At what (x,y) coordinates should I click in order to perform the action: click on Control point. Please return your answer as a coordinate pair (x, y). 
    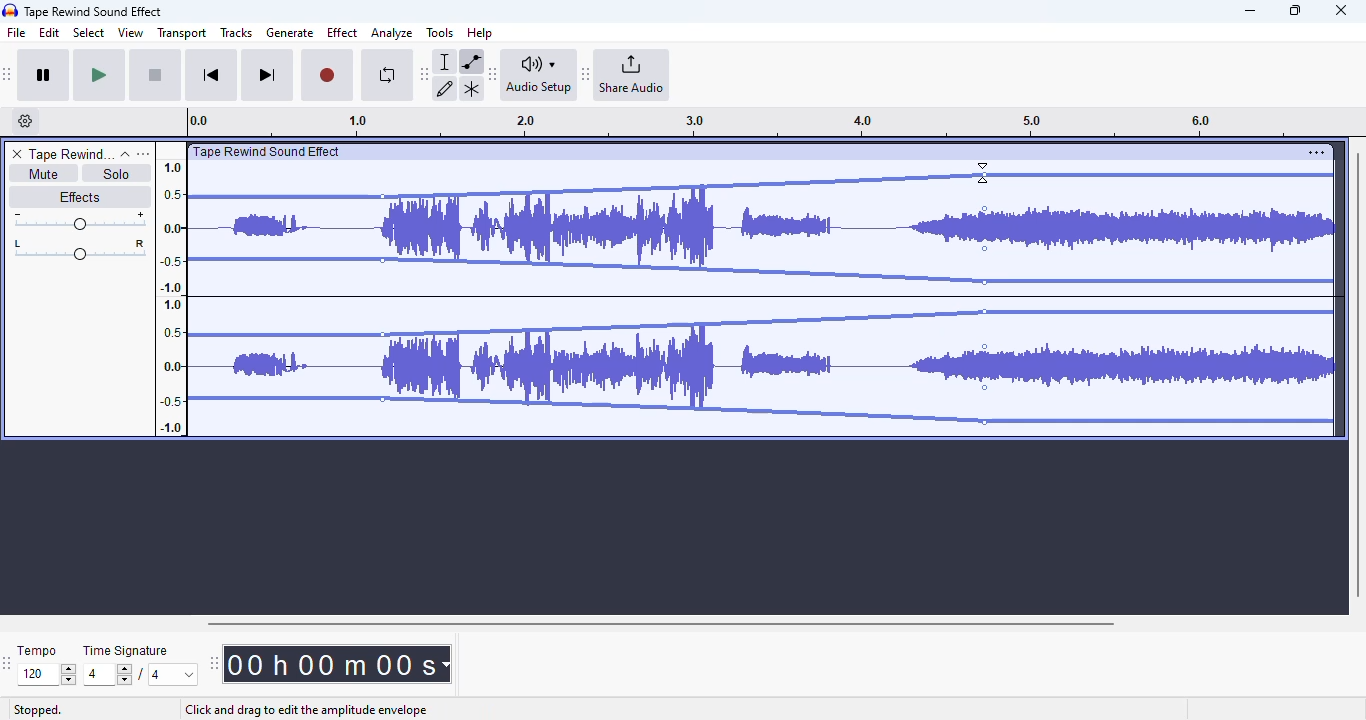
    Looking at the image, I should click on (985, 422).